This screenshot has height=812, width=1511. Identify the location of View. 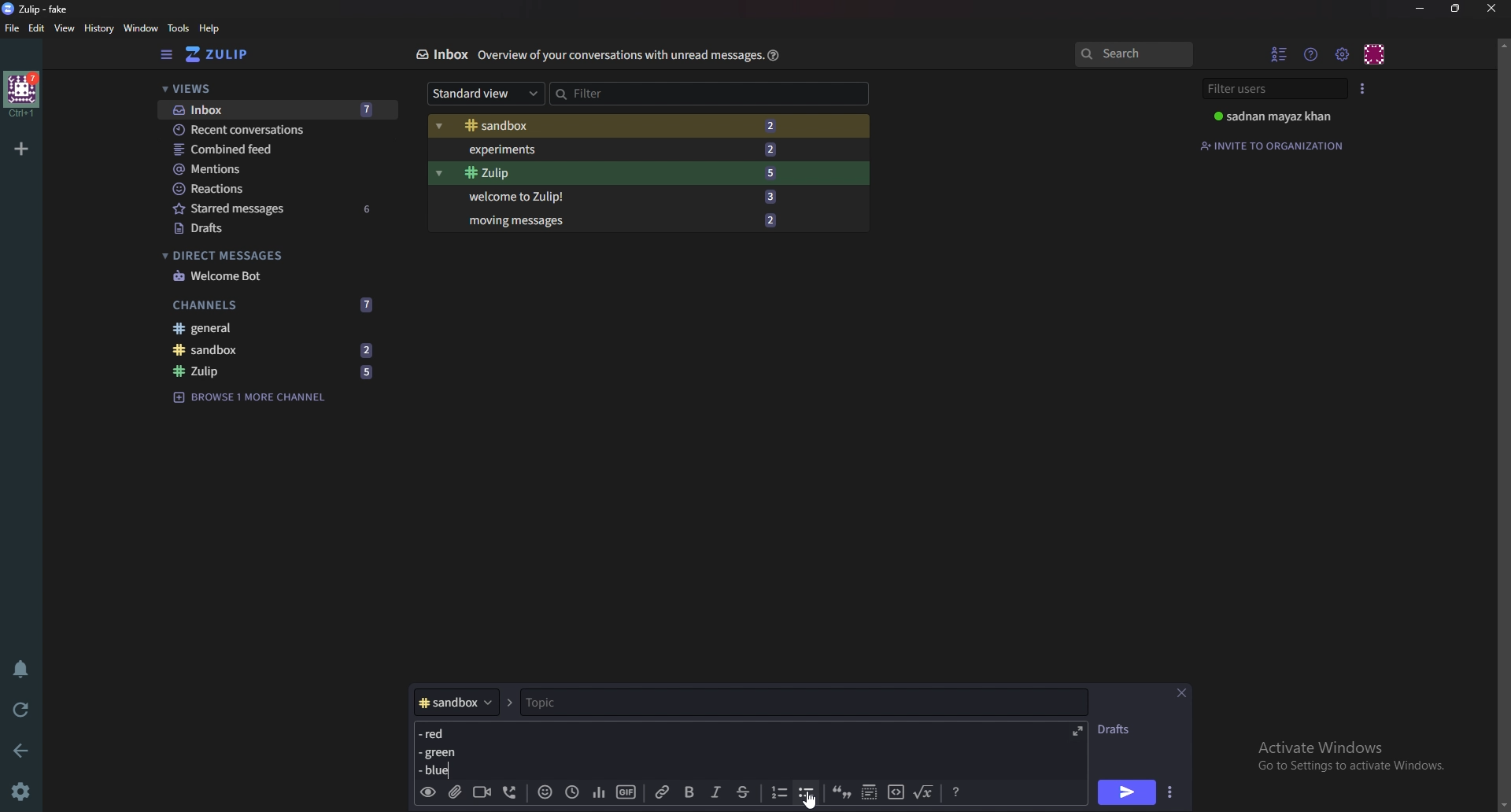
(65, 29).